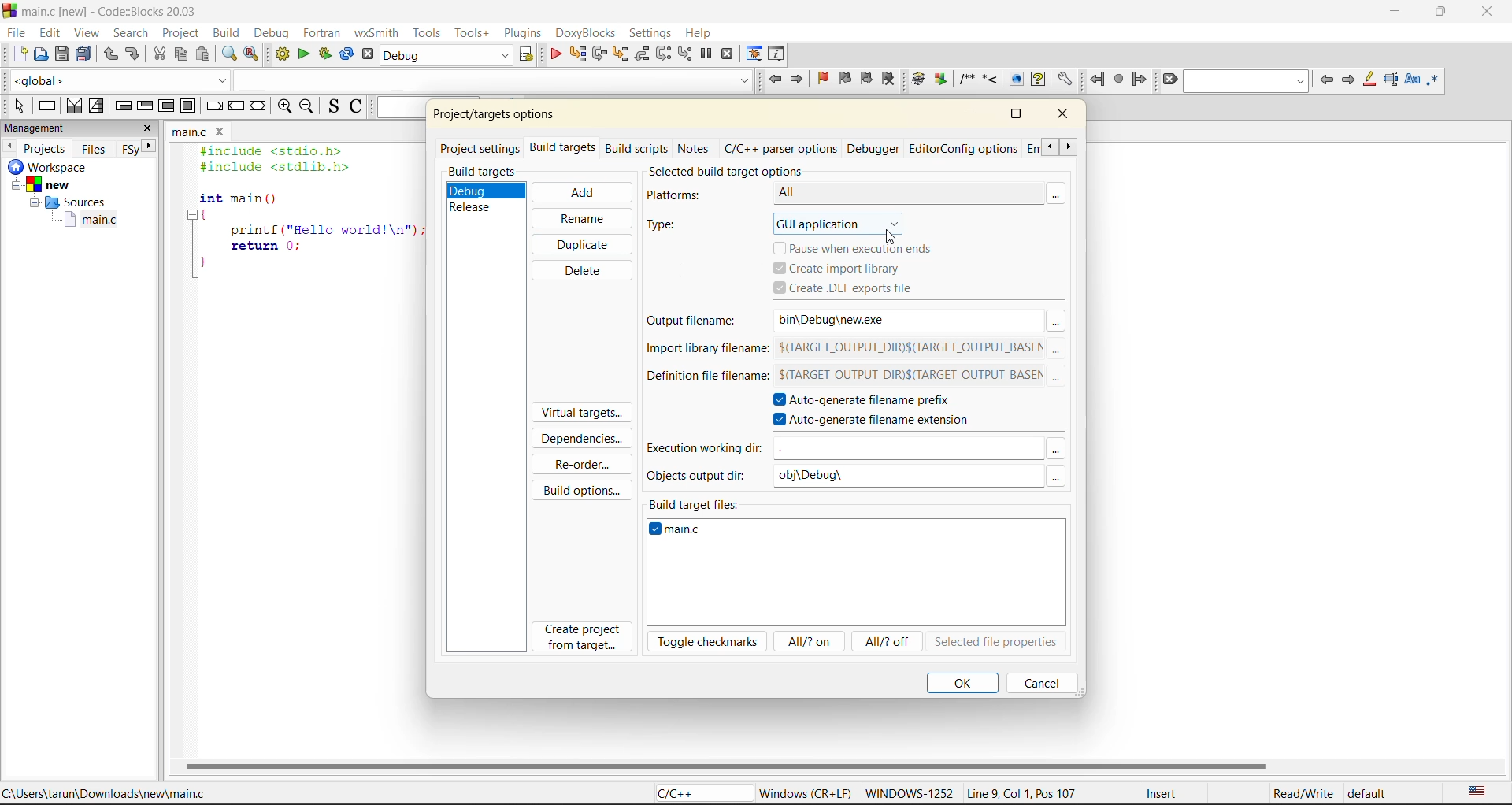  What do you see at coordinates (19, 54) in the screenshot?
I see `new` at bounding box center [19, 54].